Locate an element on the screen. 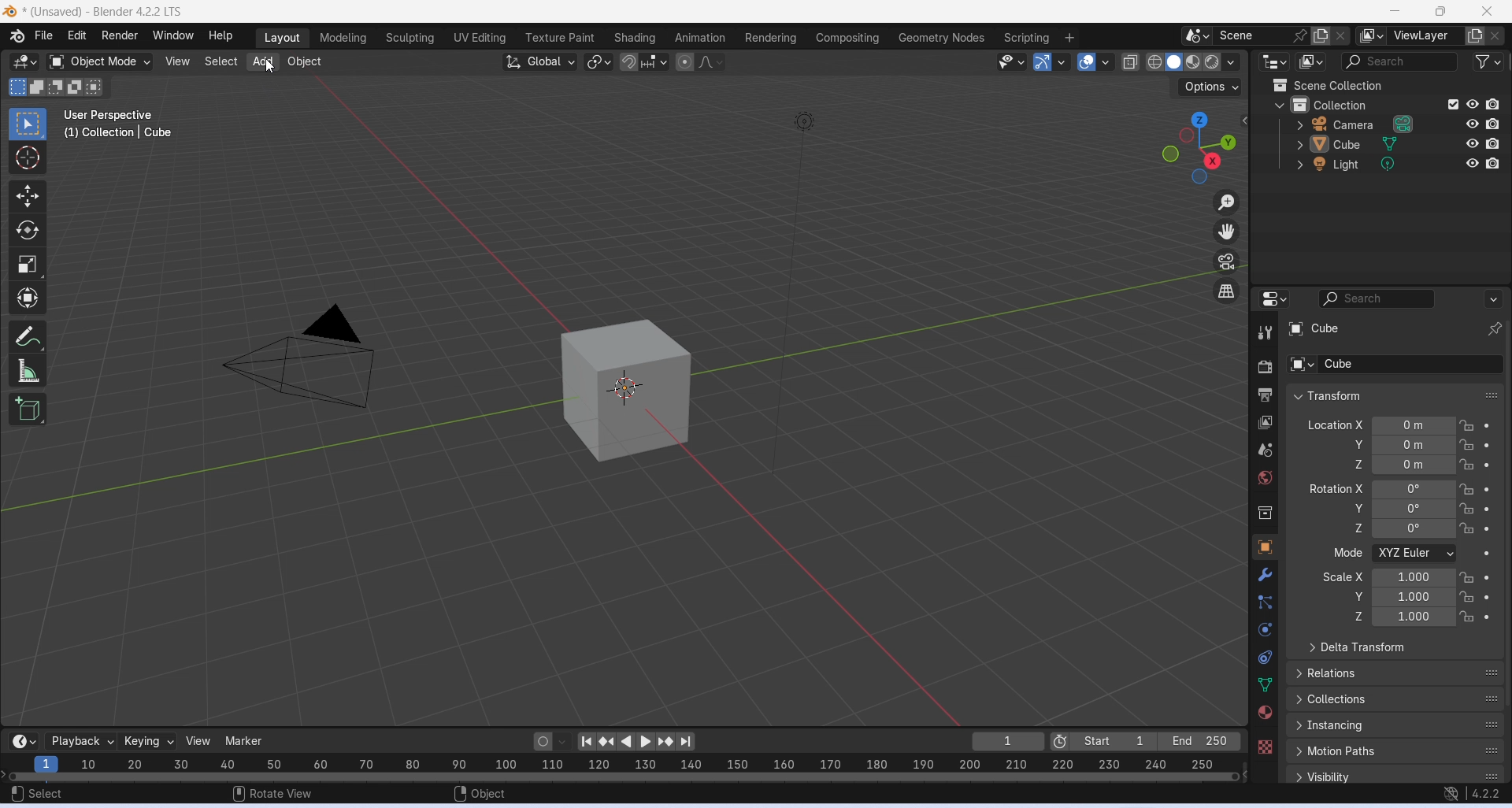 Image resolution: width=1512 pixels, height=808 pixels. material is located at coordinates (1264, 712).